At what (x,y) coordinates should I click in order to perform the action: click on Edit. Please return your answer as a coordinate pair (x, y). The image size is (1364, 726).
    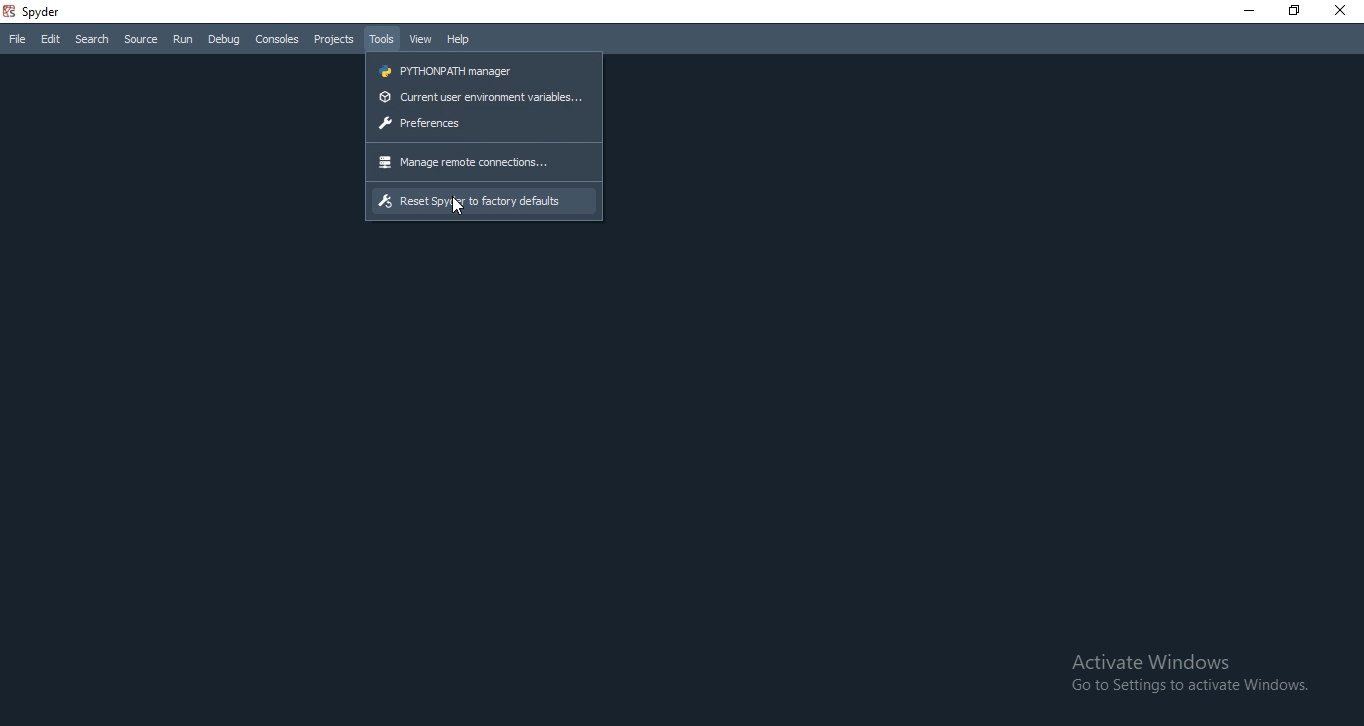
    Looking at the image, I should click on (48, 39).